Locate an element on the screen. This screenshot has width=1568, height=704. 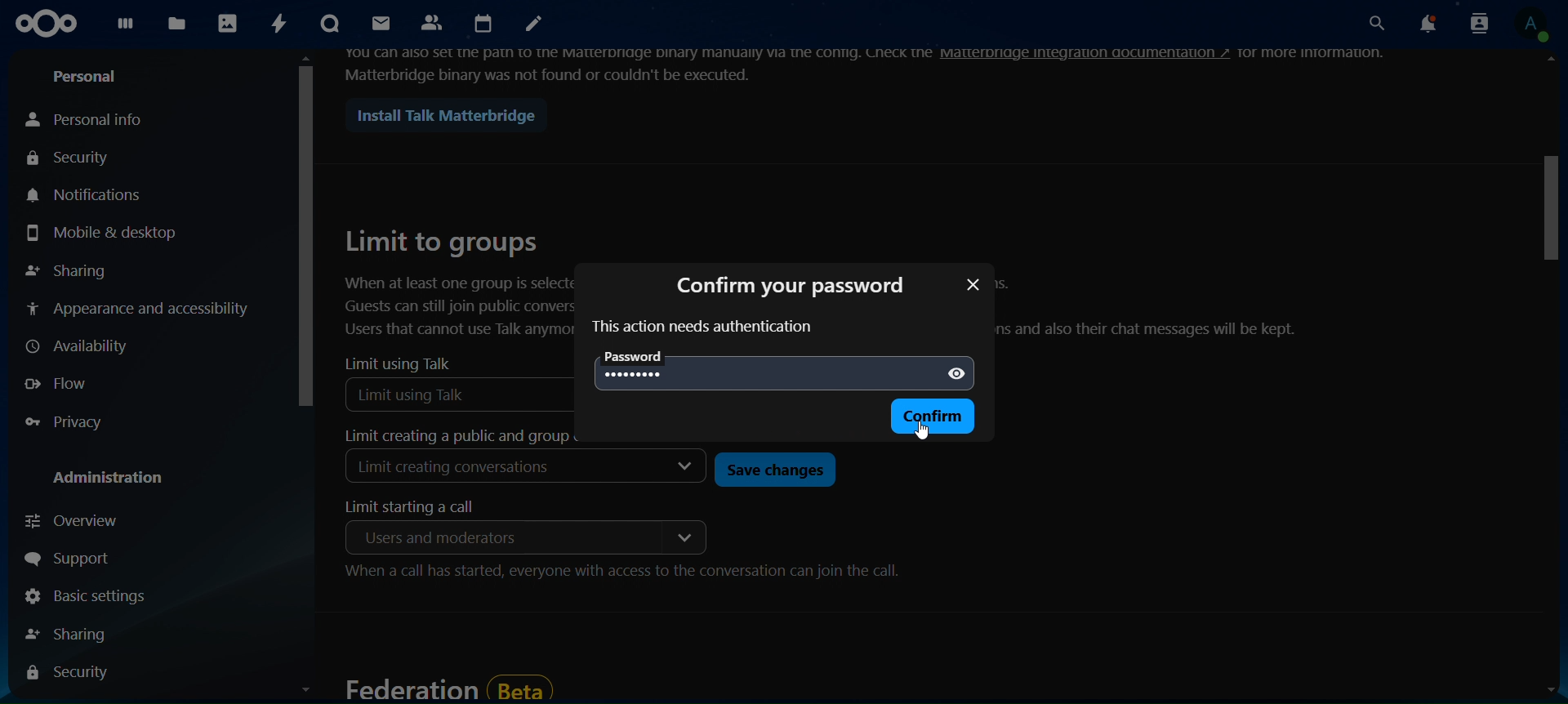
support is located at coordinates (80, 561).